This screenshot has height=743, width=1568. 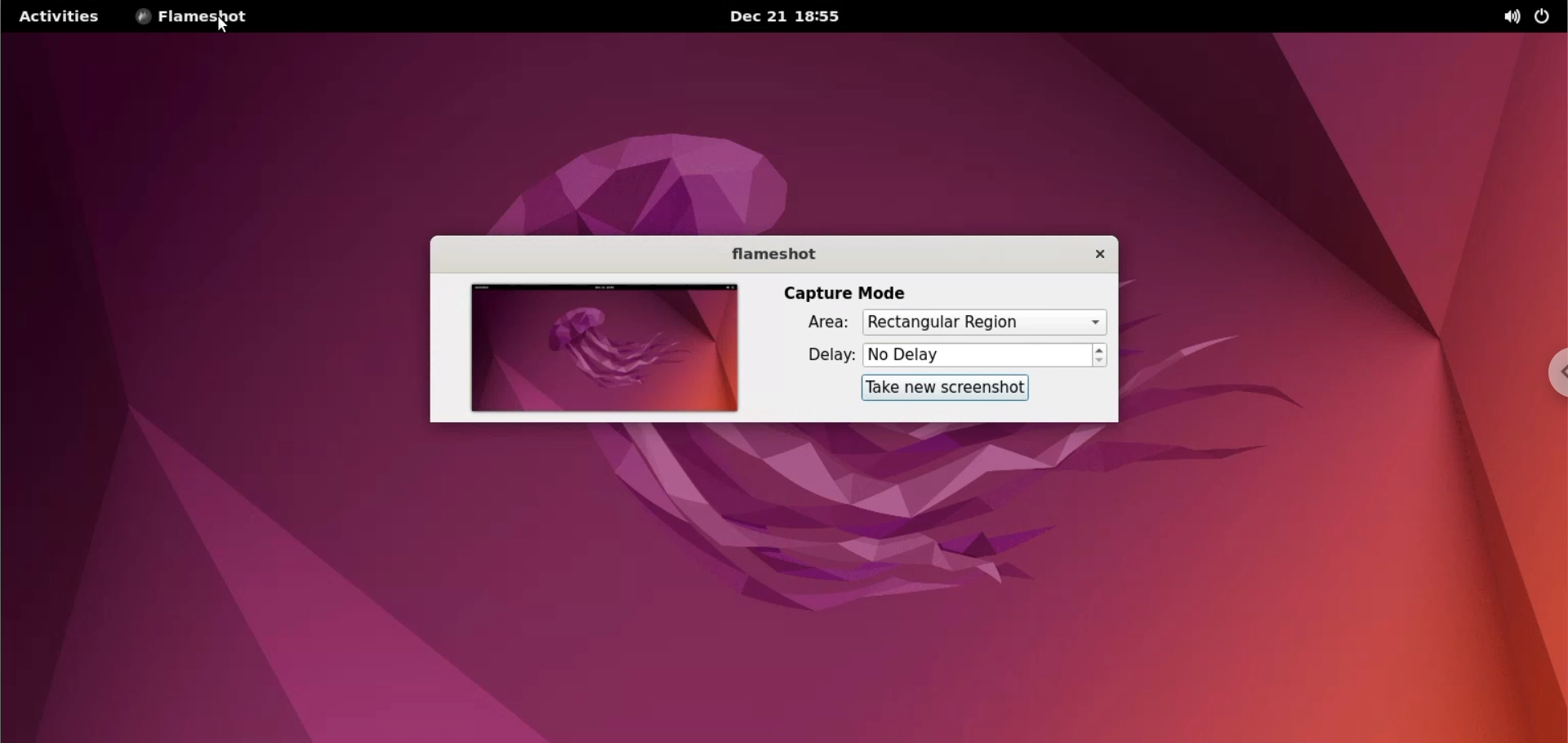 What do you see at coordinates (1545, 16) in the screenshot?
I see `power options` at bounding box center [1545, 16].